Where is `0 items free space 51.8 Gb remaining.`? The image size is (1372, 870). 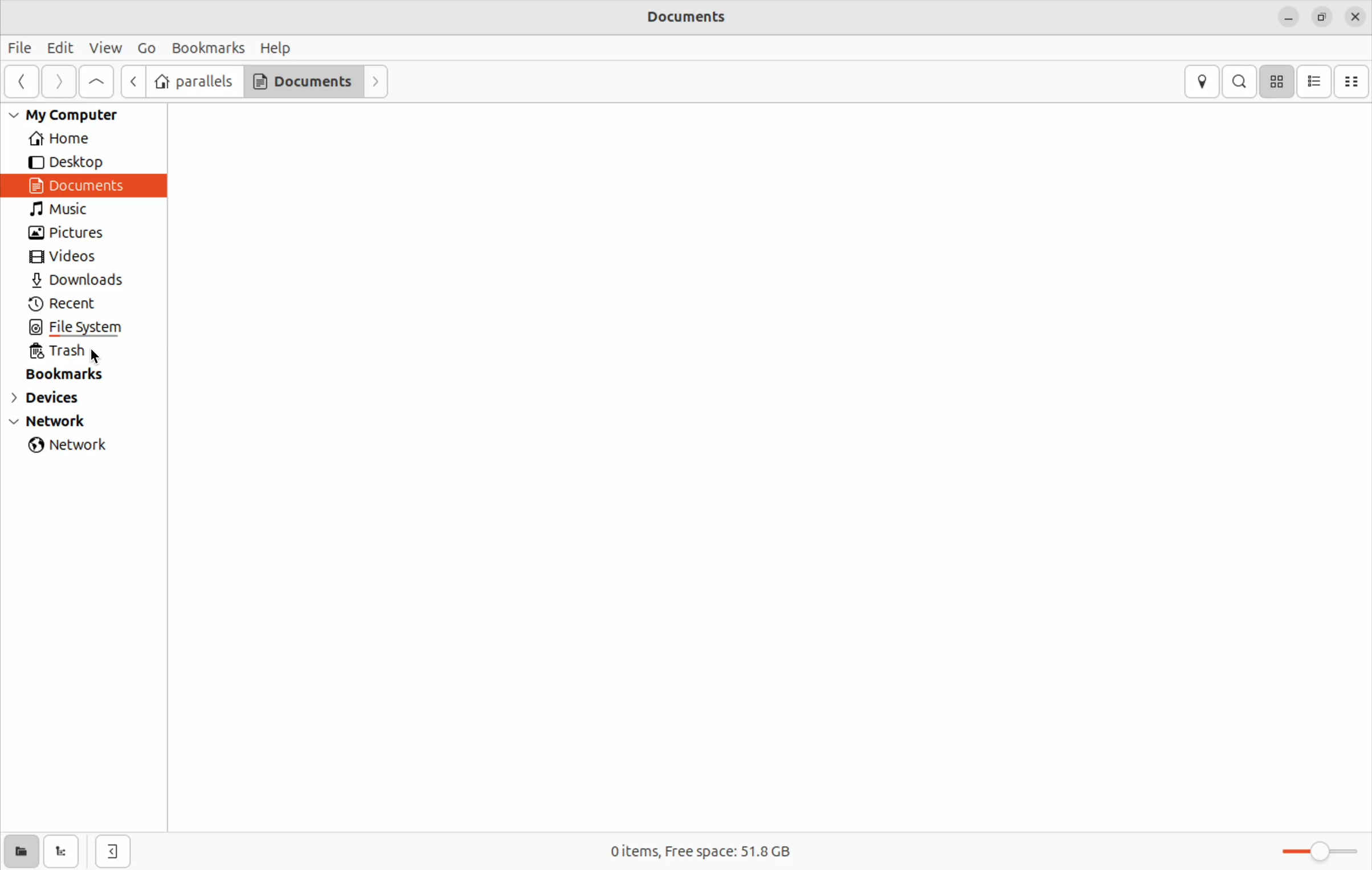 0 items free space 51.8 Gb remaining. is located at coordinates (714, 852).